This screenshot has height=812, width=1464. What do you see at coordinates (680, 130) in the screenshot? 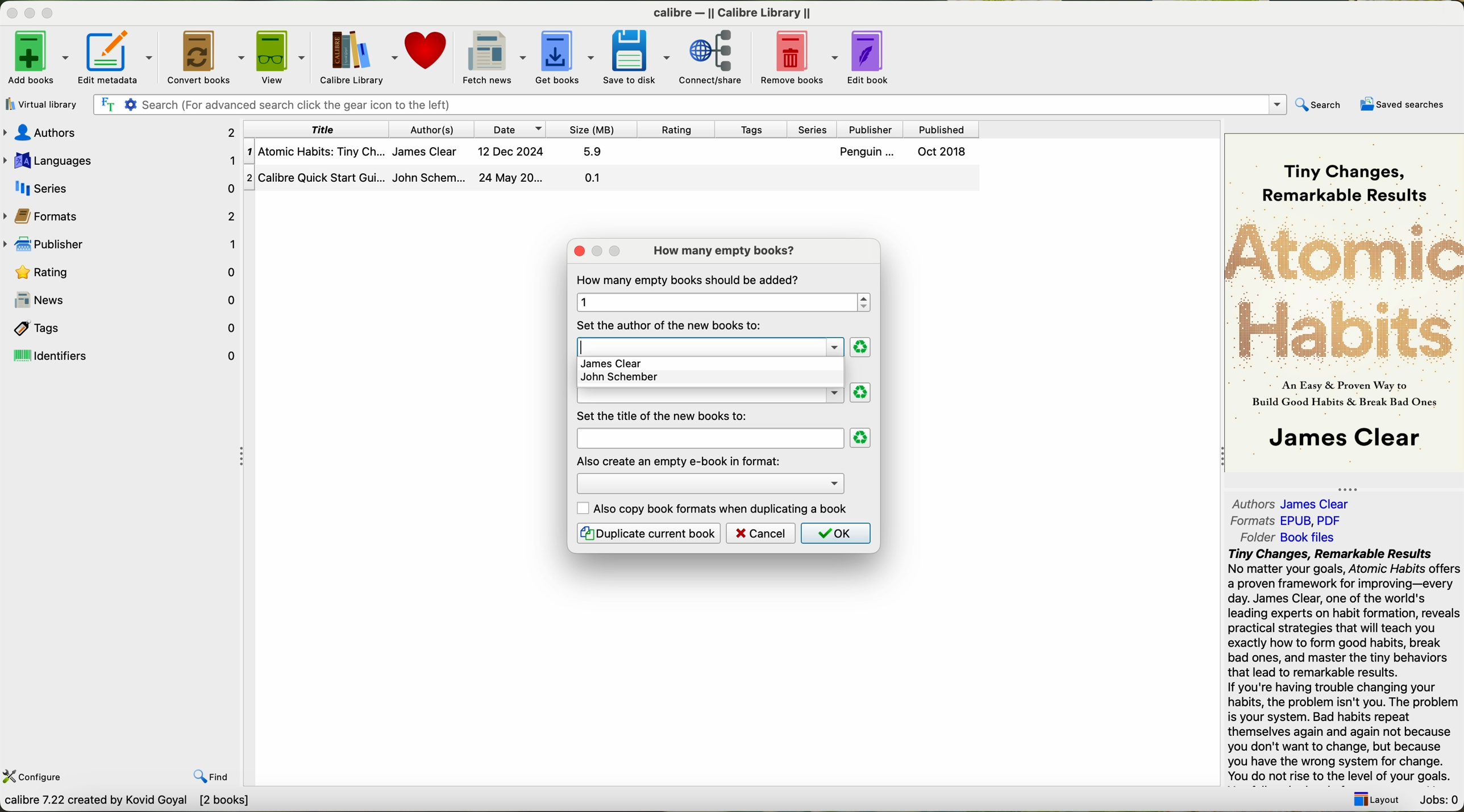
I see `rating` at bounding box center [680, 130].